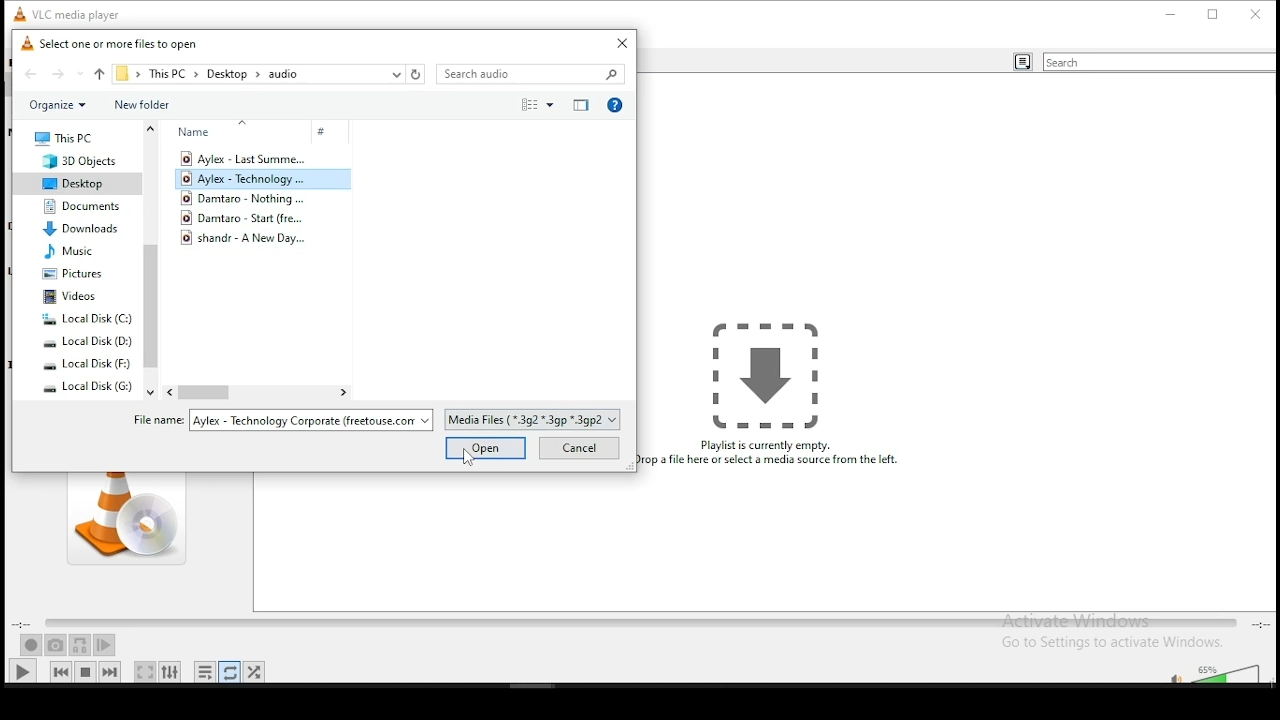  Describe the element at coordinates (284, 75) in the screenshot. I see `audio` at that location.